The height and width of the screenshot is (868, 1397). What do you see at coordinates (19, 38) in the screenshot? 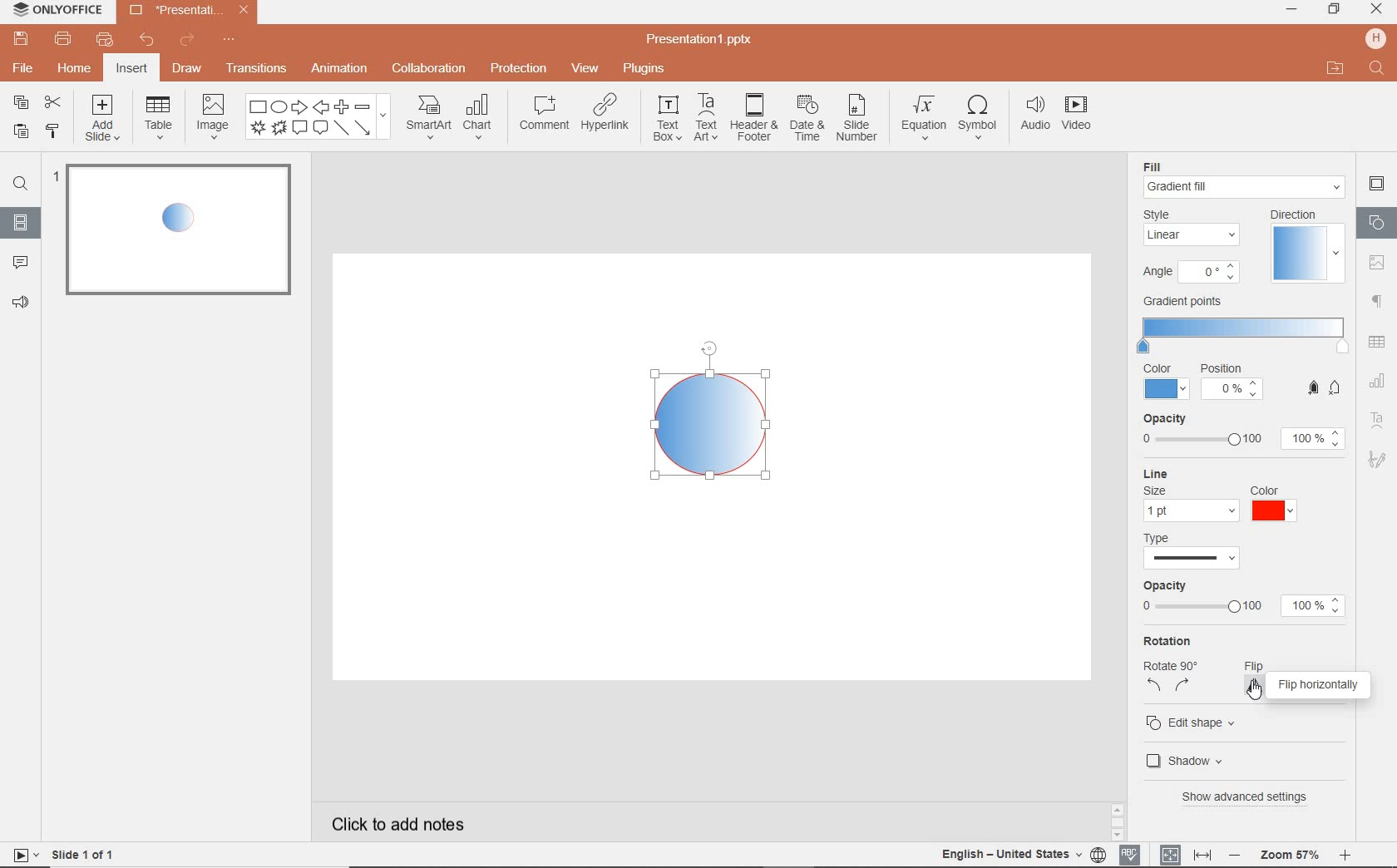
I see `save` at bounding box center [19, 38].